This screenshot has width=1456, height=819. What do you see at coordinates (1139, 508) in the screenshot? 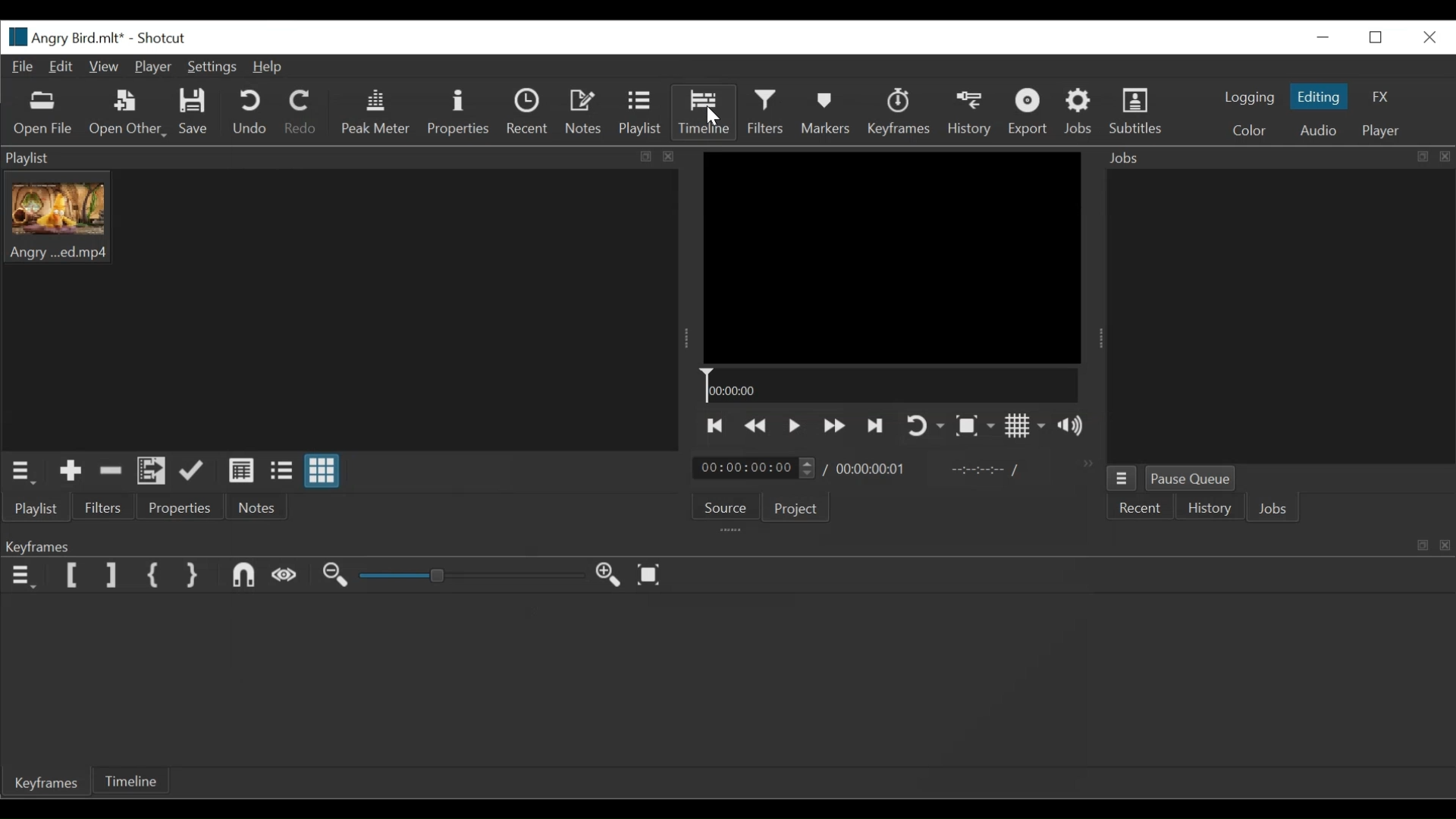
I see `Recent` at bounding box center [1139, 508].